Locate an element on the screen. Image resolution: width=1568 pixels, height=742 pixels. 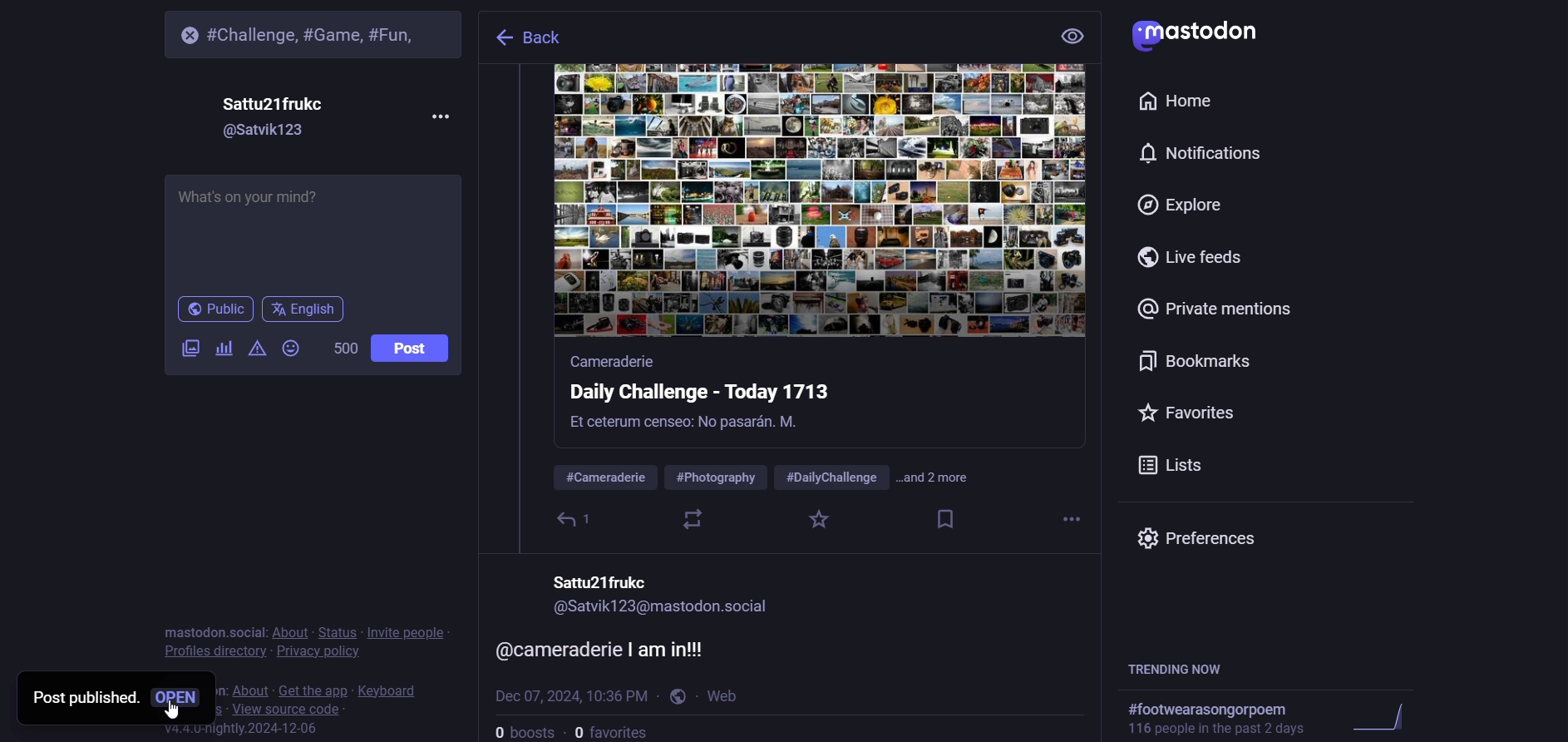
mastodon is located at coordinates (1202, 32).